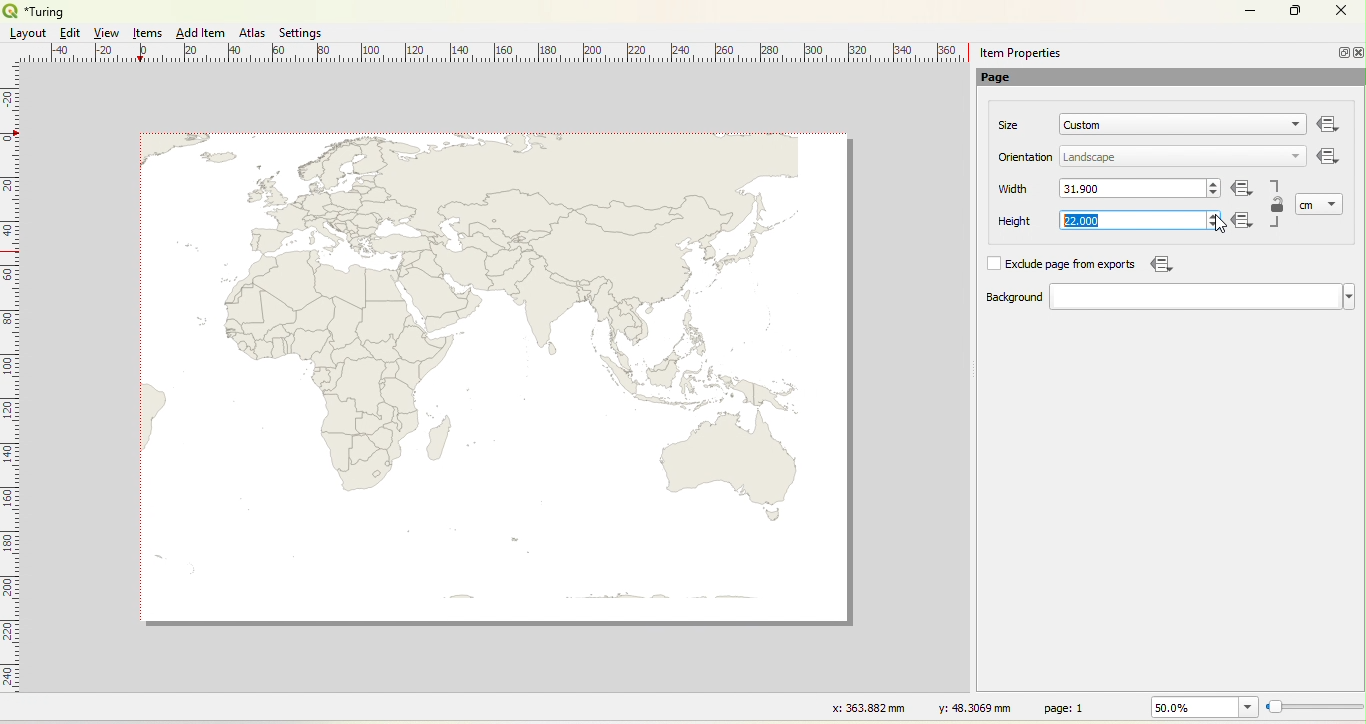  Describe the element at coordinates (1002, 222) in the screenshot. I see `Height` at that location.